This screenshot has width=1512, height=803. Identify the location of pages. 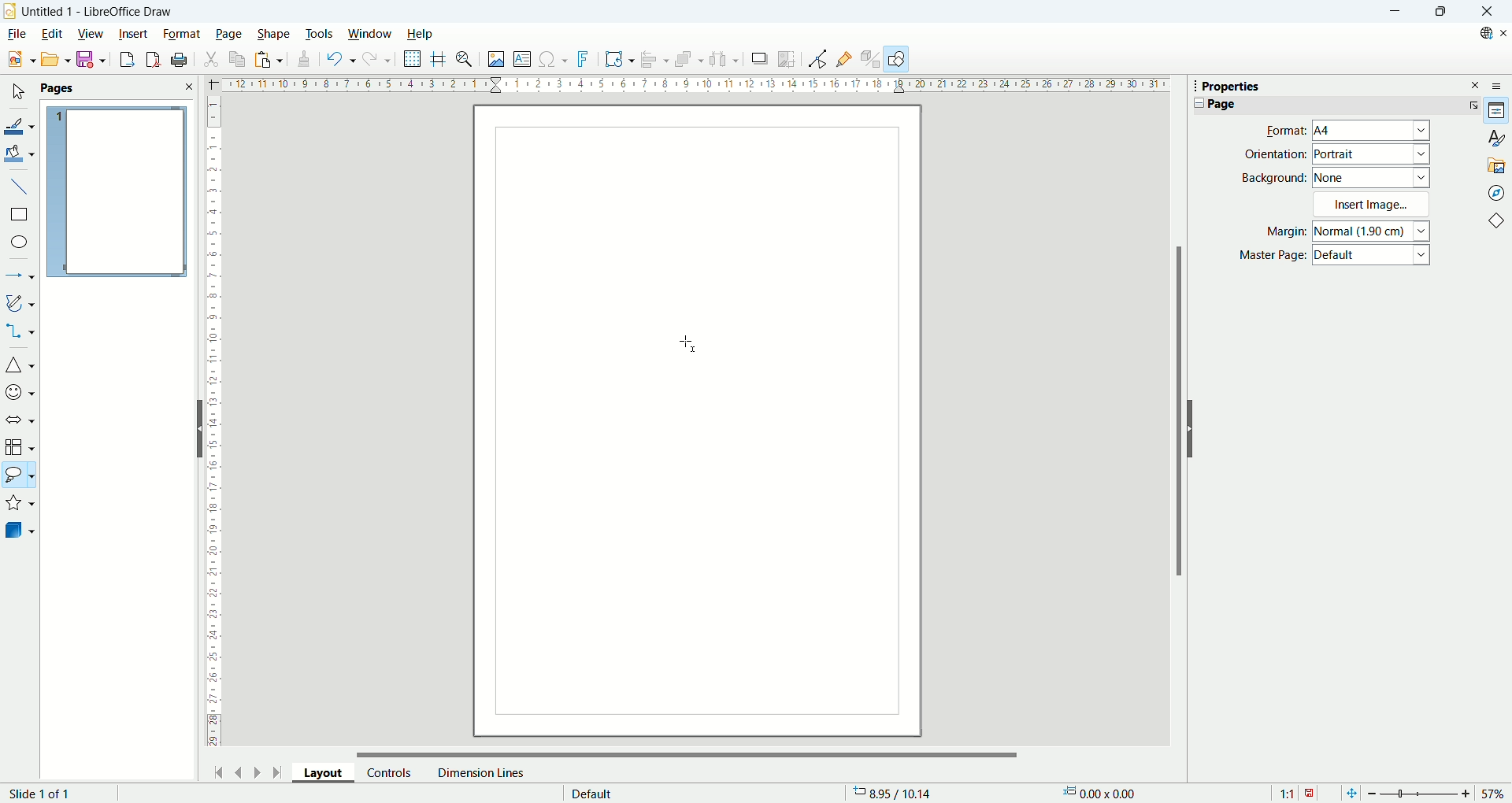
(117, 89).